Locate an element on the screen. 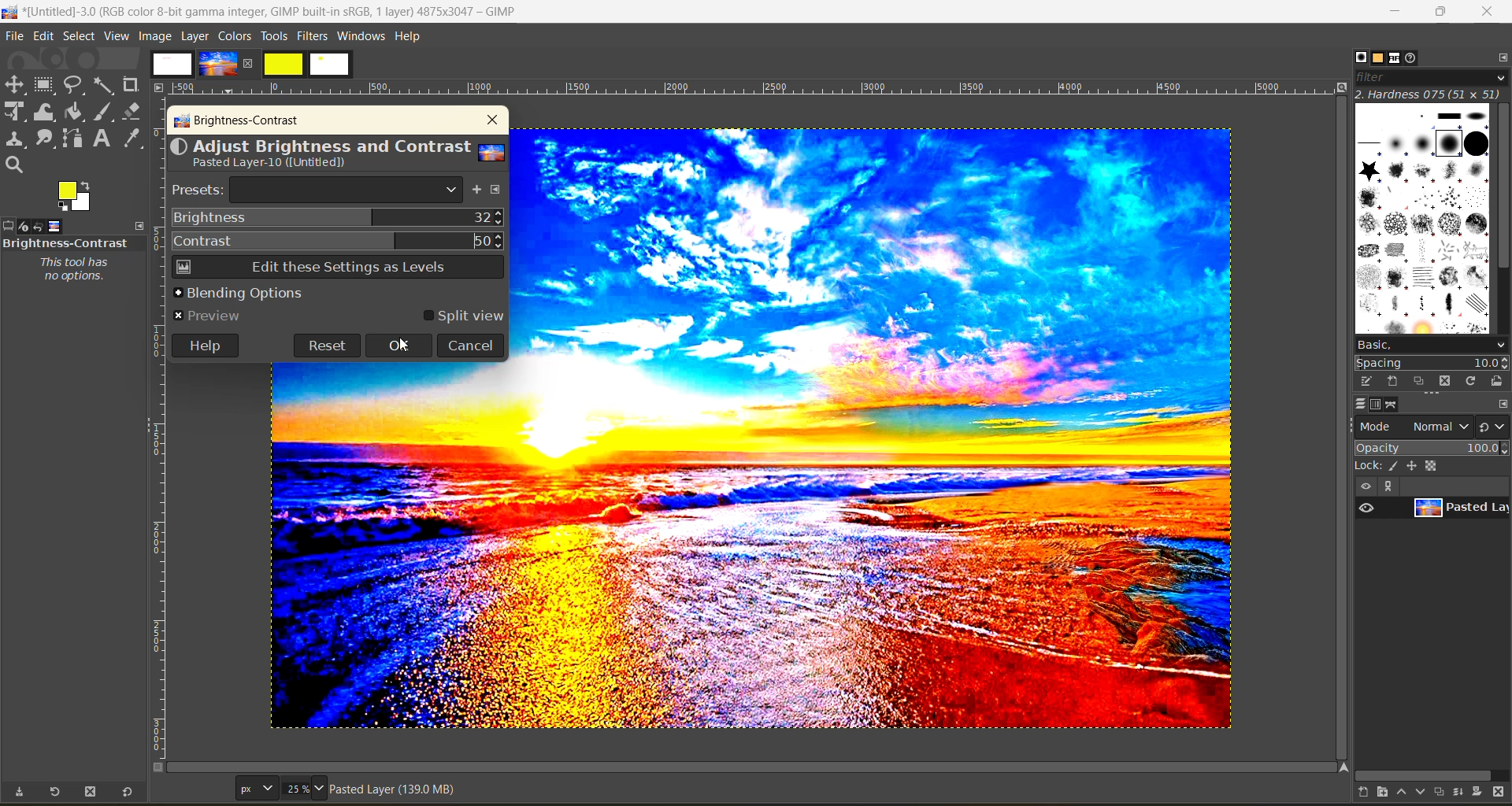 This screenshot has height=806, width=1512. adjust brightness and contrast is located at coordinates (337, 155).